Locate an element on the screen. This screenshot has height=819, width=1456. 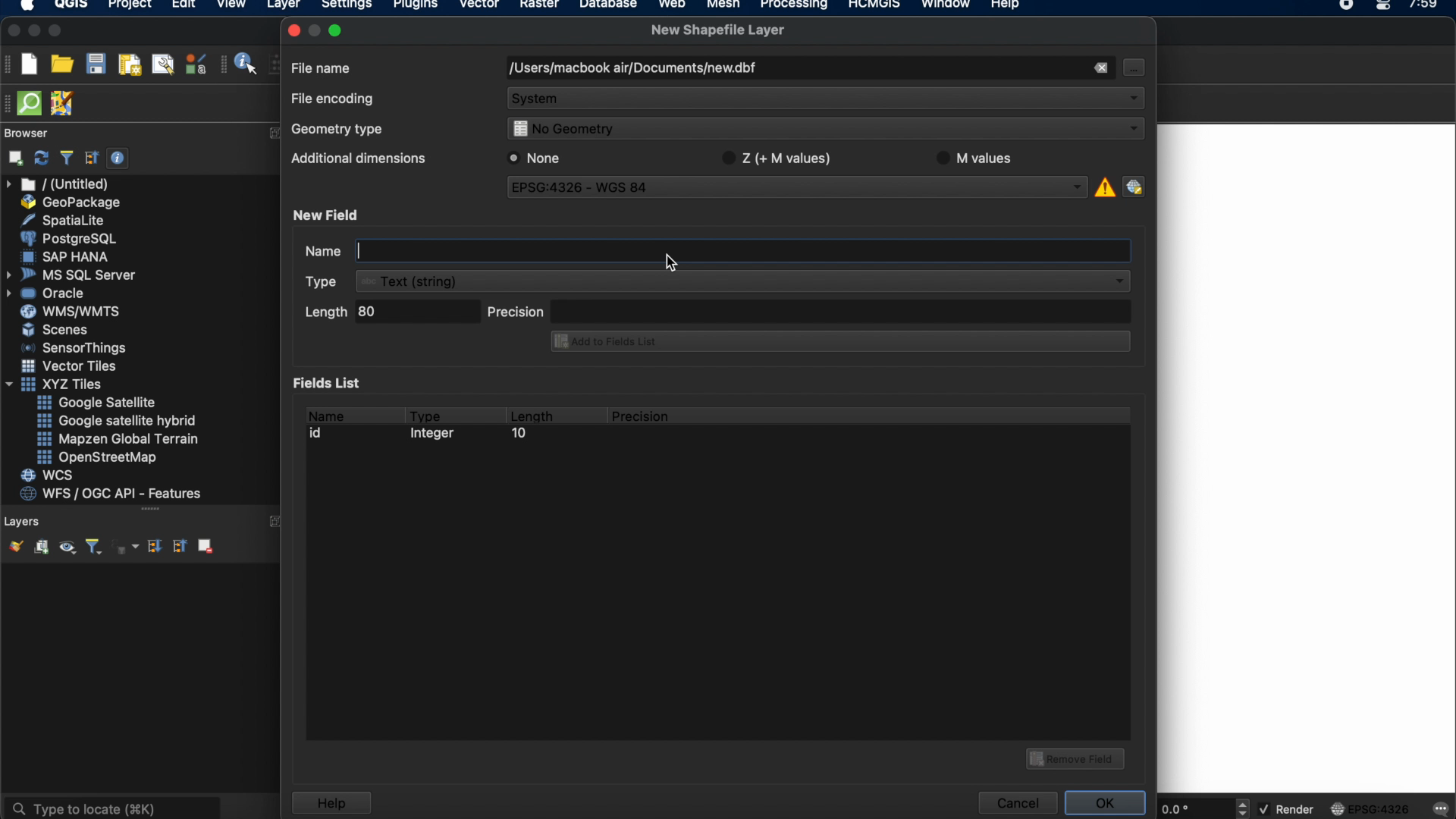
control center macOS is located at coordinates (1382, 7).